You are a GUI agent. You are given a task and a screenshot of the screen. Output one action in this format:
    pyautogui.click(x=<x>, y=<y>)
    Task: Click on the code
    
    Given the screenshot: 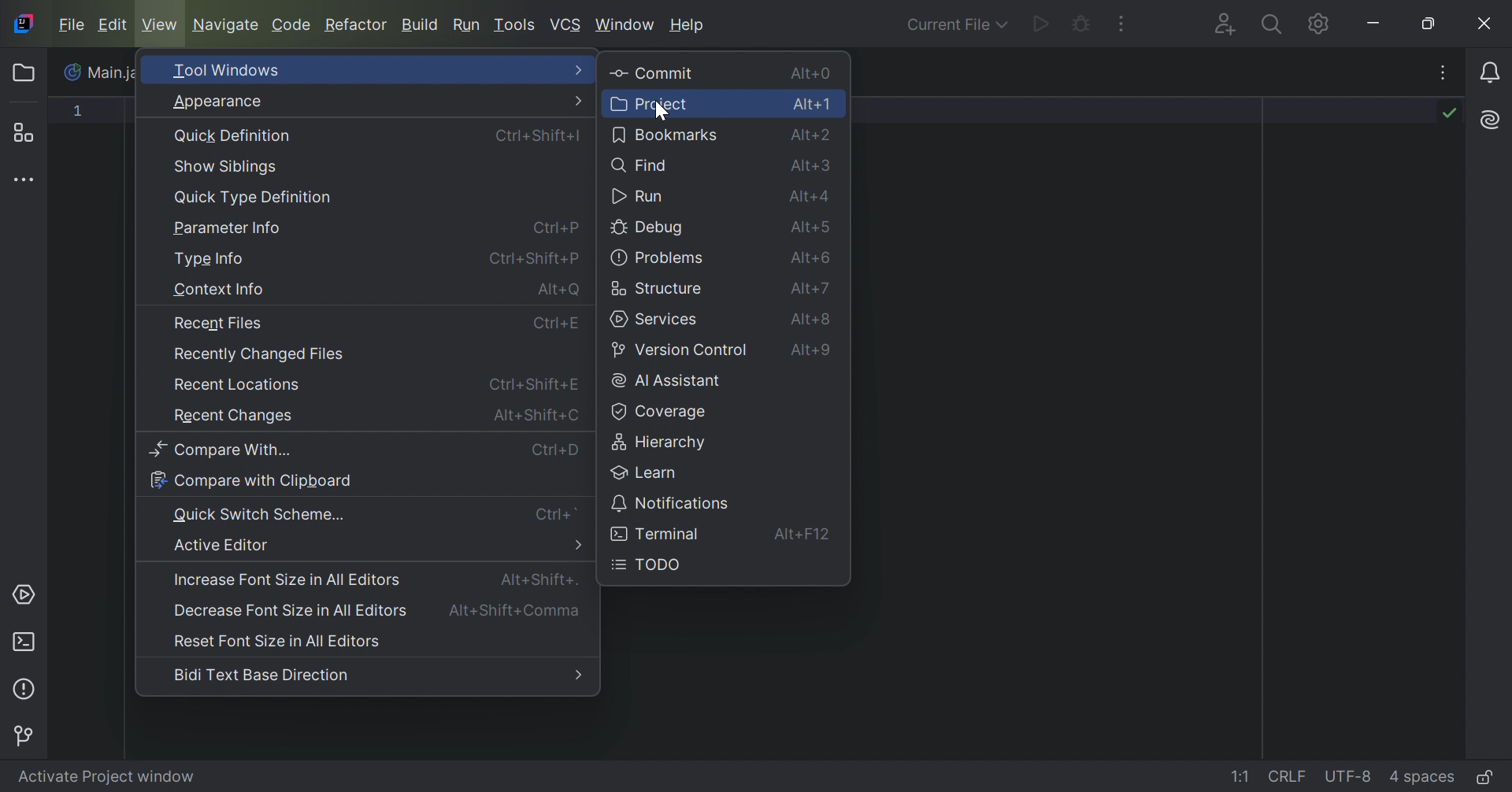 What is the action you would take?
    pyautogui.click(x=291, y=27)
    